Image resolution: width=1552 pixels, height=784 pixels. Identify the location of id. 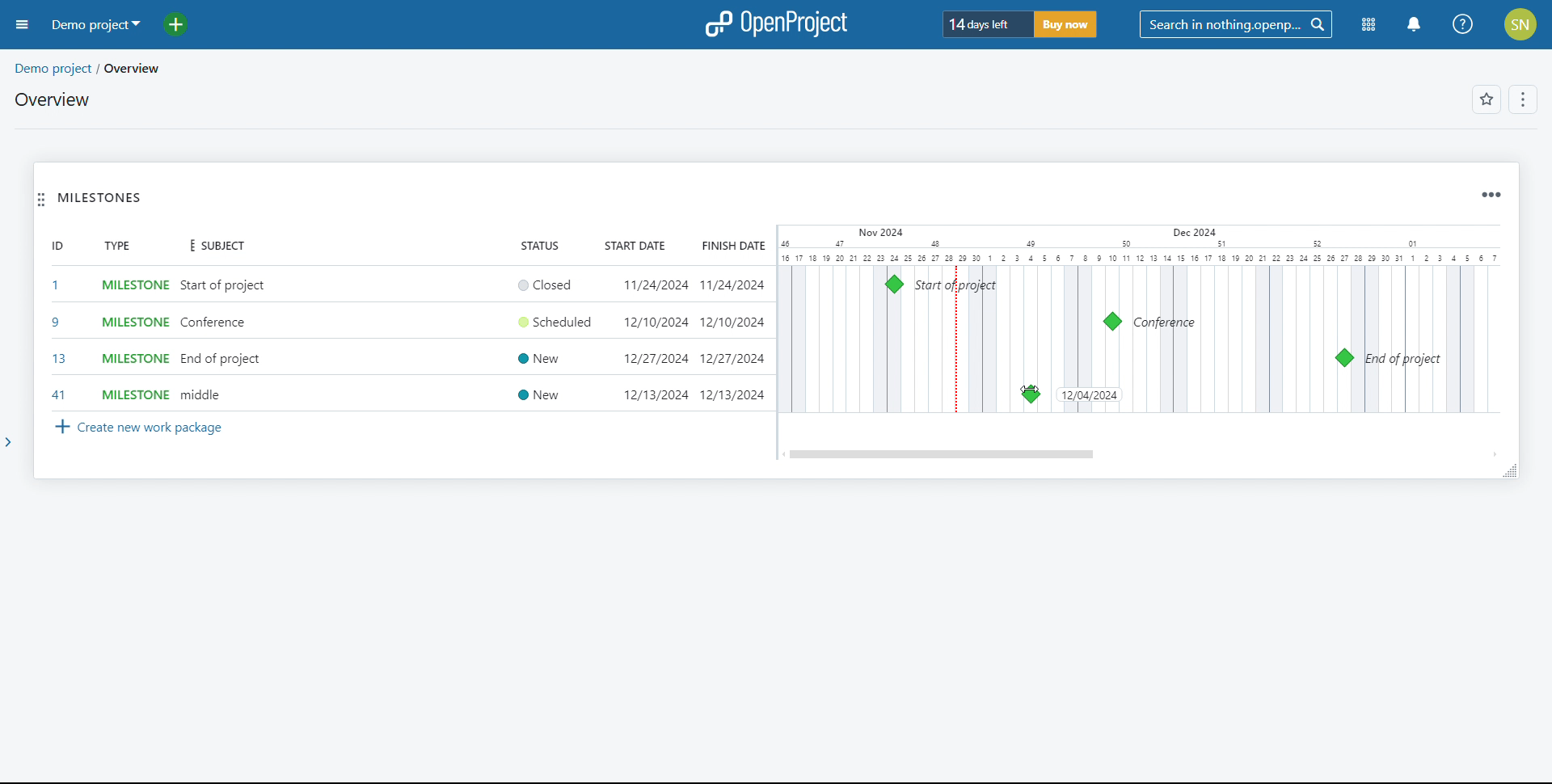
(57, 245).